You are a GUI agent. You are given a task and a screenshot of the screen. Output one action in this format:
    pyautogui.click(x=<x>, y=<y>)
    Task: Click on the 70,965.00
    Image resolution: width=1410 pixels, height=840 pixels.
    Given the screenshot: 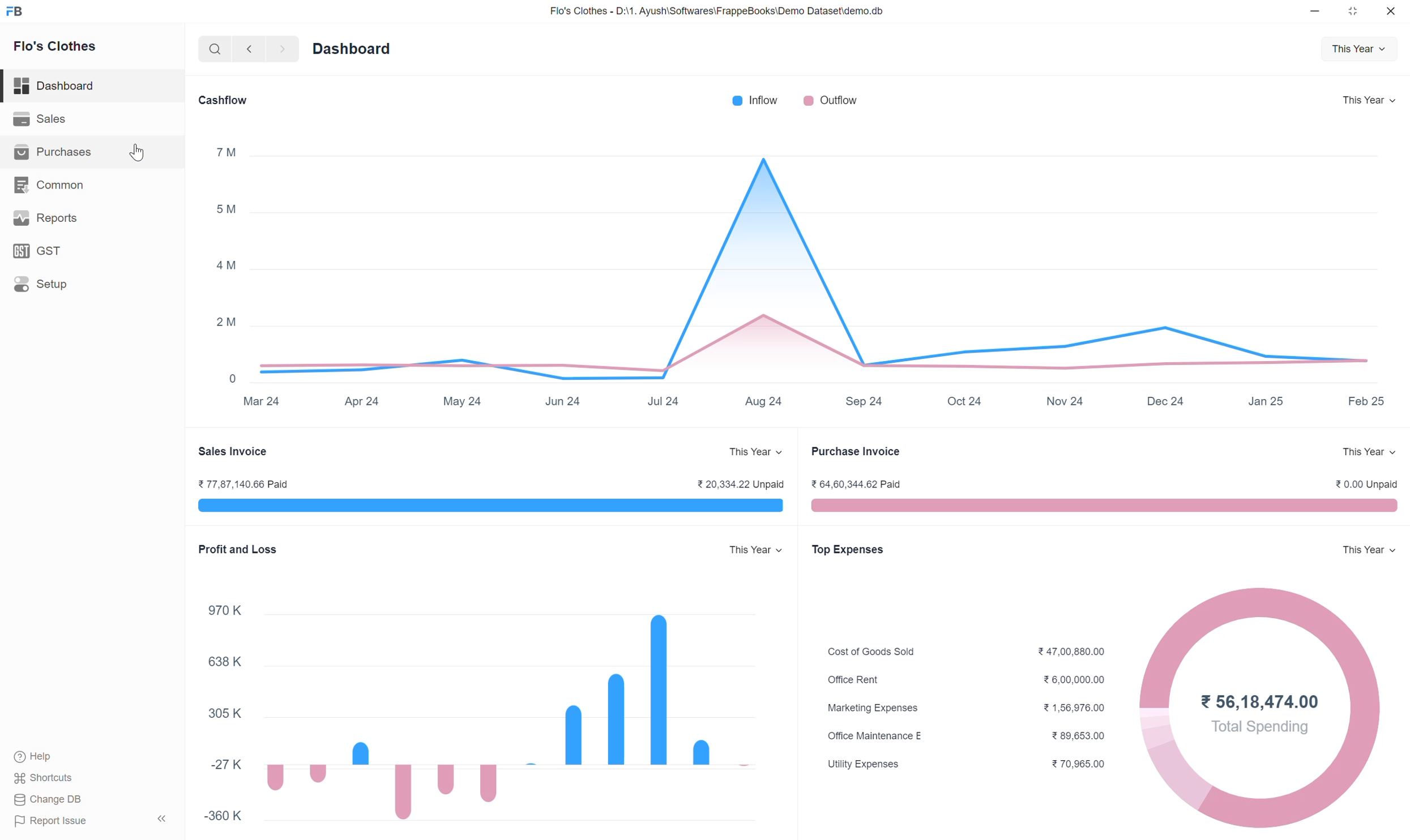 What is the action you would take?
    pyautogui.click(x=1078, y=763)
    